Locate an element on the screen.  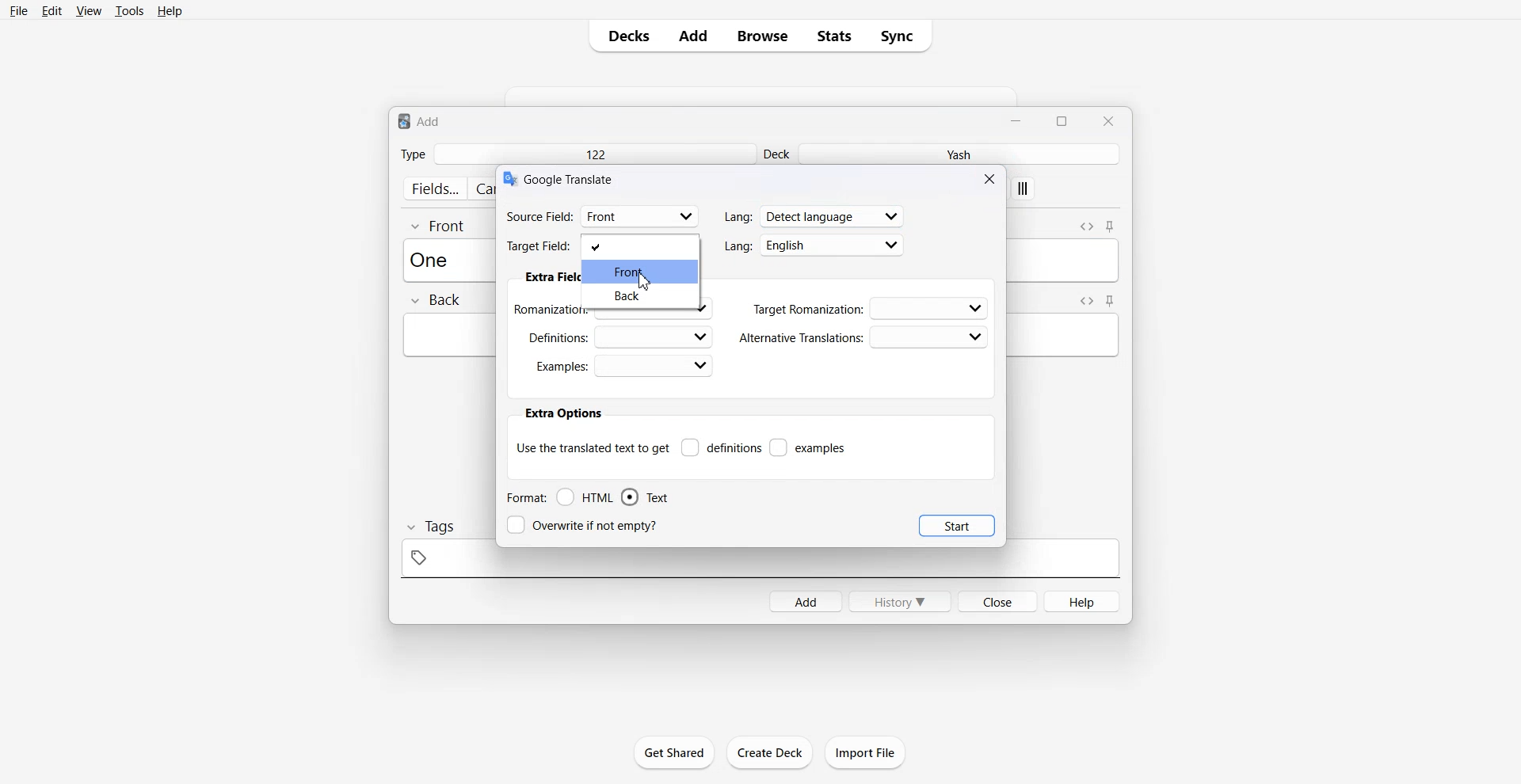
language is located at coordinates (814, 245).